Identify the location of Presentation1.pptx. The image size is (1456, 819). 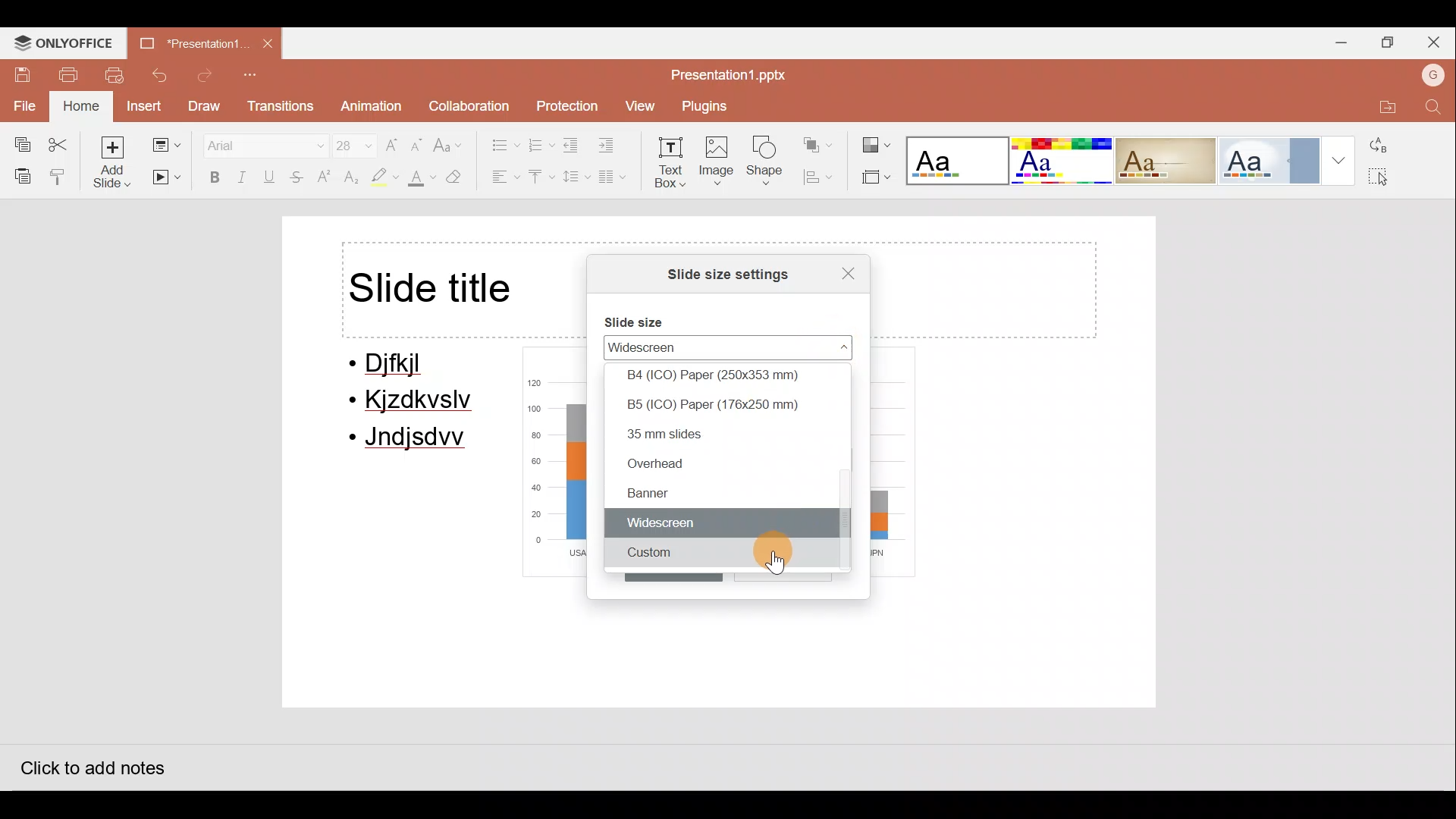
(733, 74).